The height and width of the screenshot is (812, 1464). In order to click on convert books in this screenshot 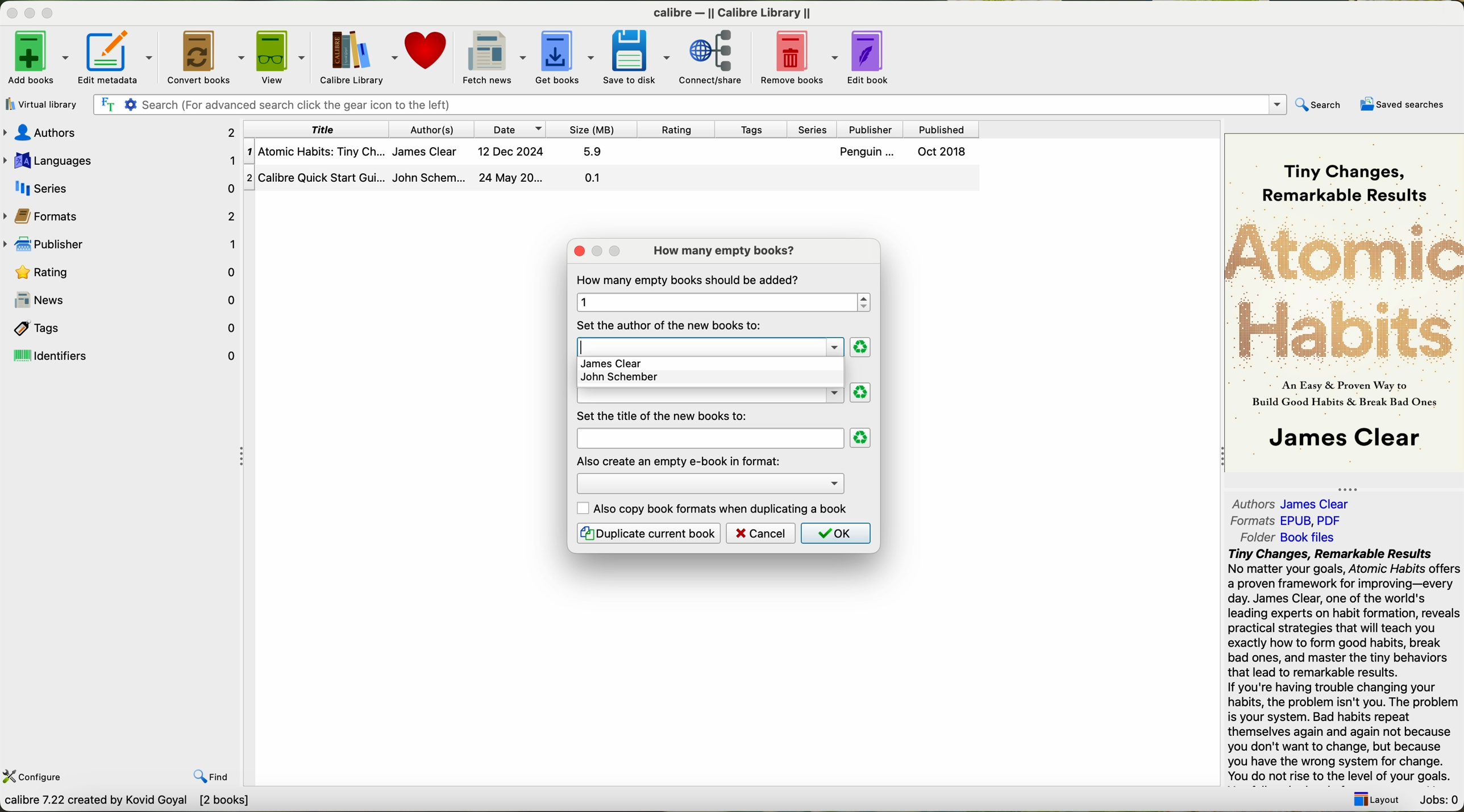, I will do `click(203, 56)`.